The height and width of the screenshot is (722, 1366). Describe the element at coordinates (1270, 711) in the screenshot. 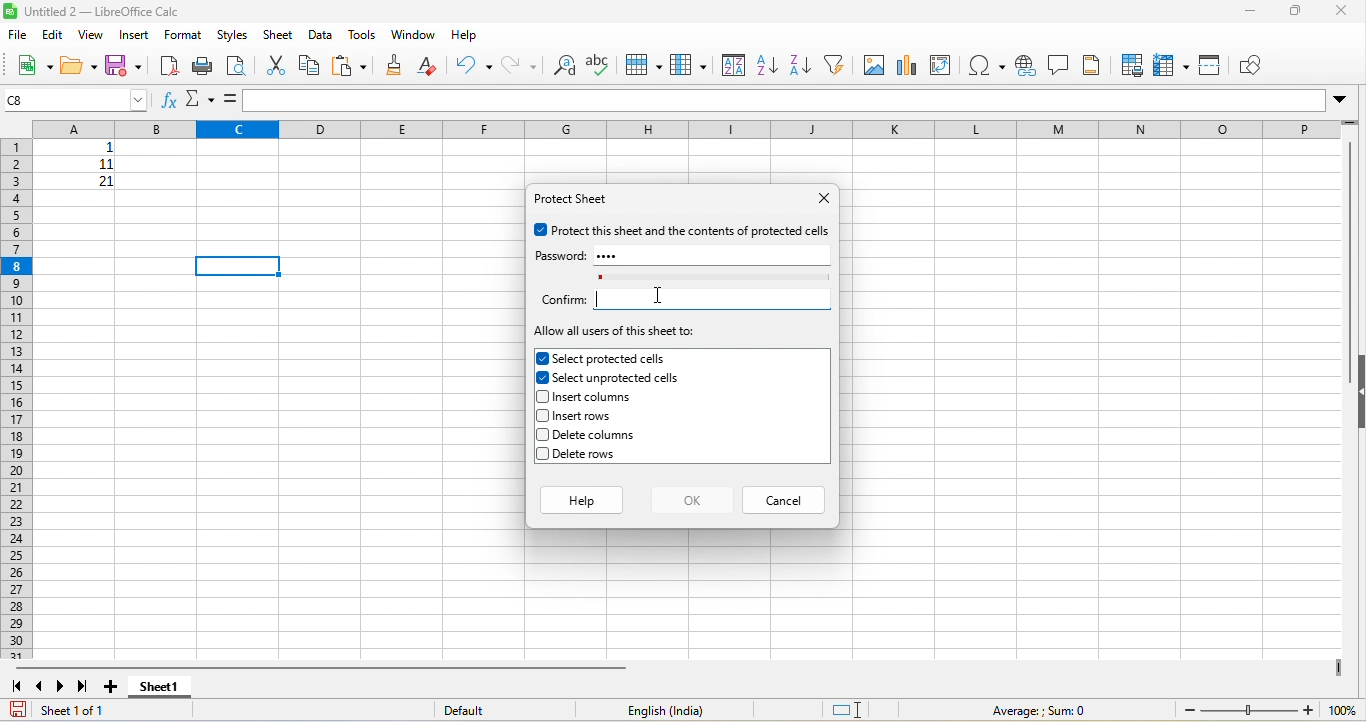

I see `zoom` at that location.